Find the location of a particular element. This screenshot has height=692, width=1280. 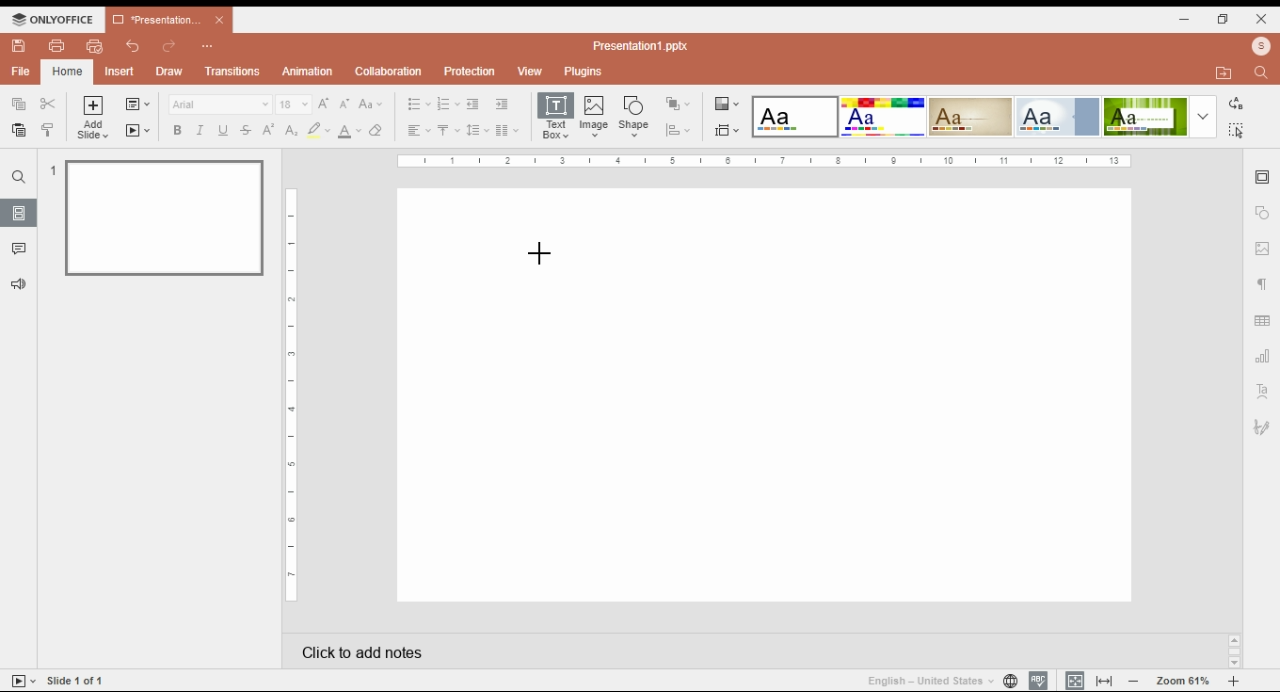

feedback and support is located at coordinates (17, 283).